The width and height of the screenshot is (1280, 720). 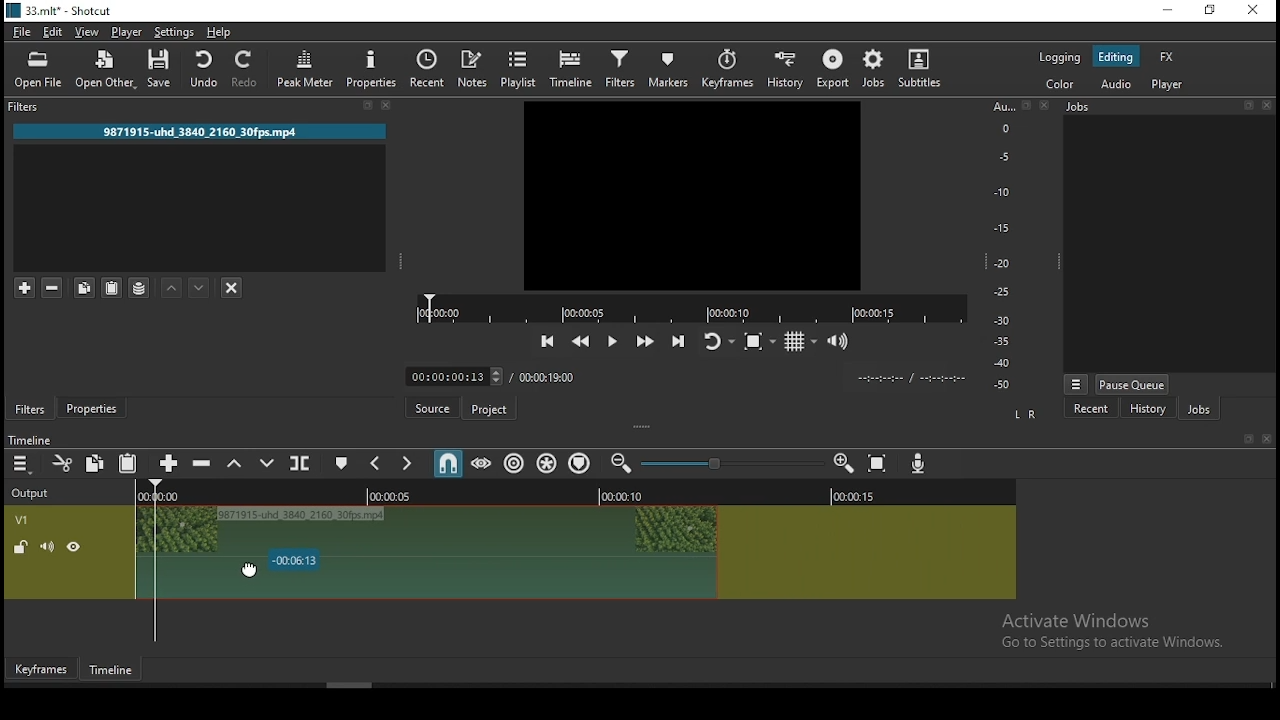 I want to click on export, so click(x=835, y=70).